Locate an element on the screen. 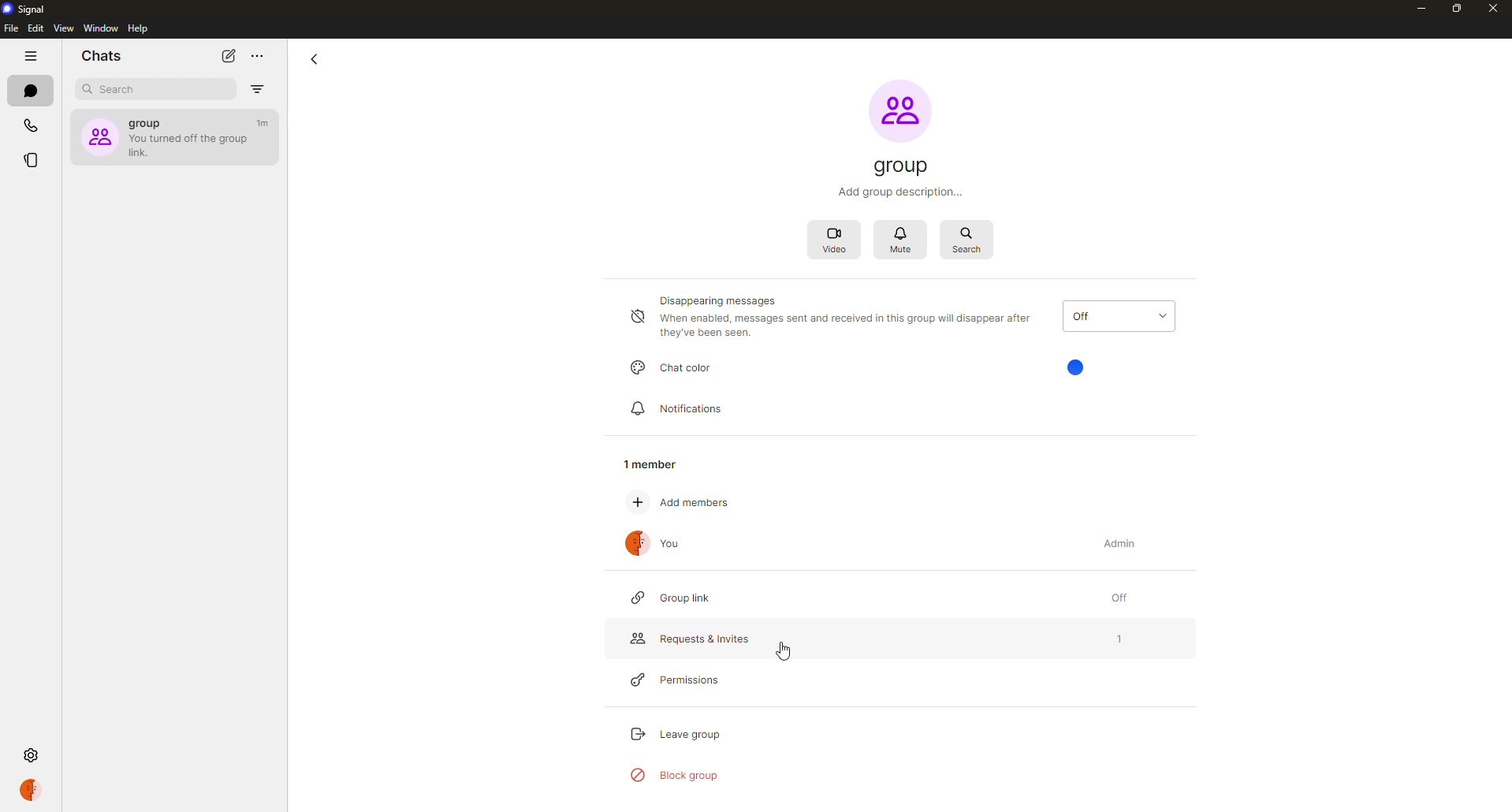 The image size is (1512, 812). signal is located at coordinates (29, 11).